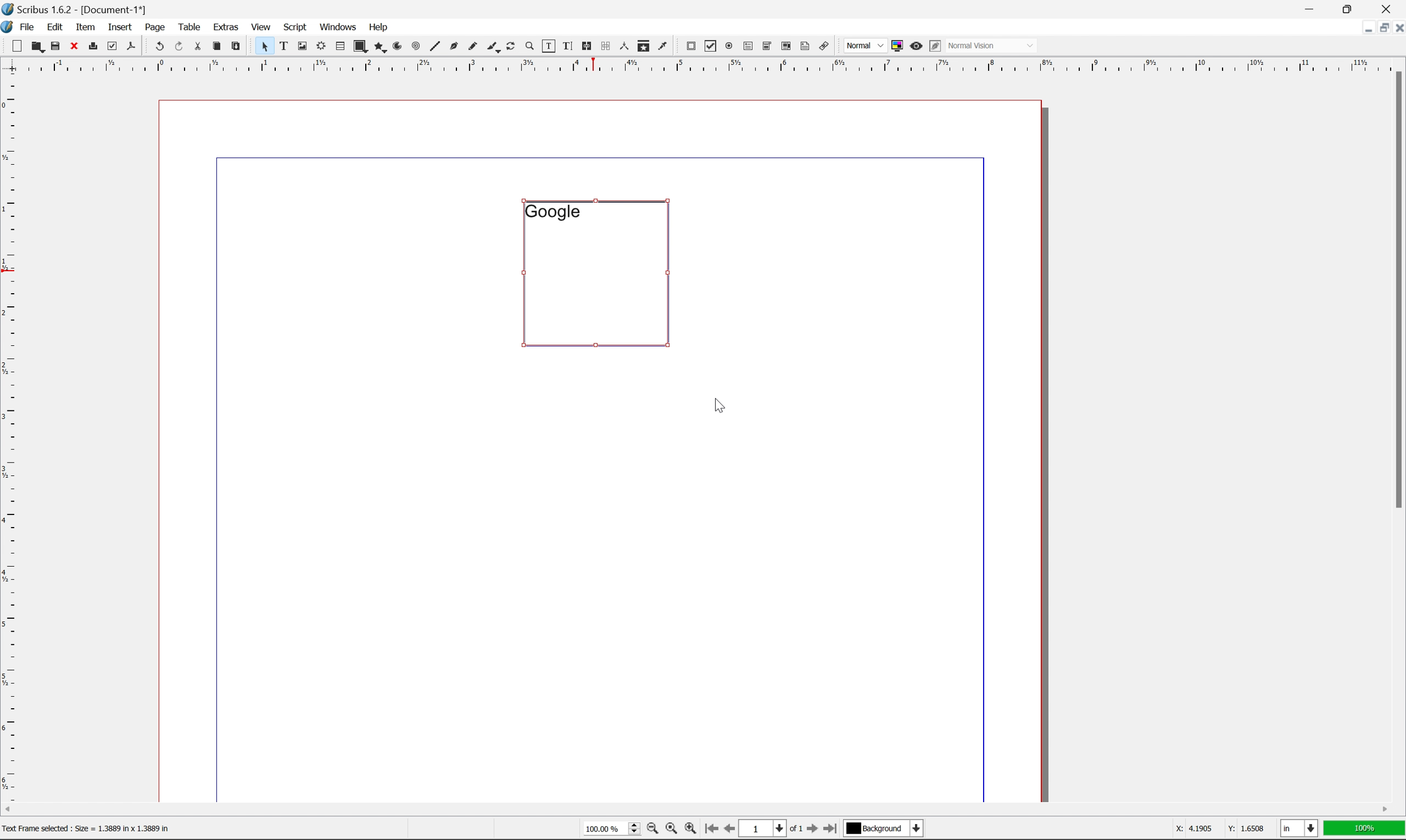  I want to click on go to next page, so click(809, 830).